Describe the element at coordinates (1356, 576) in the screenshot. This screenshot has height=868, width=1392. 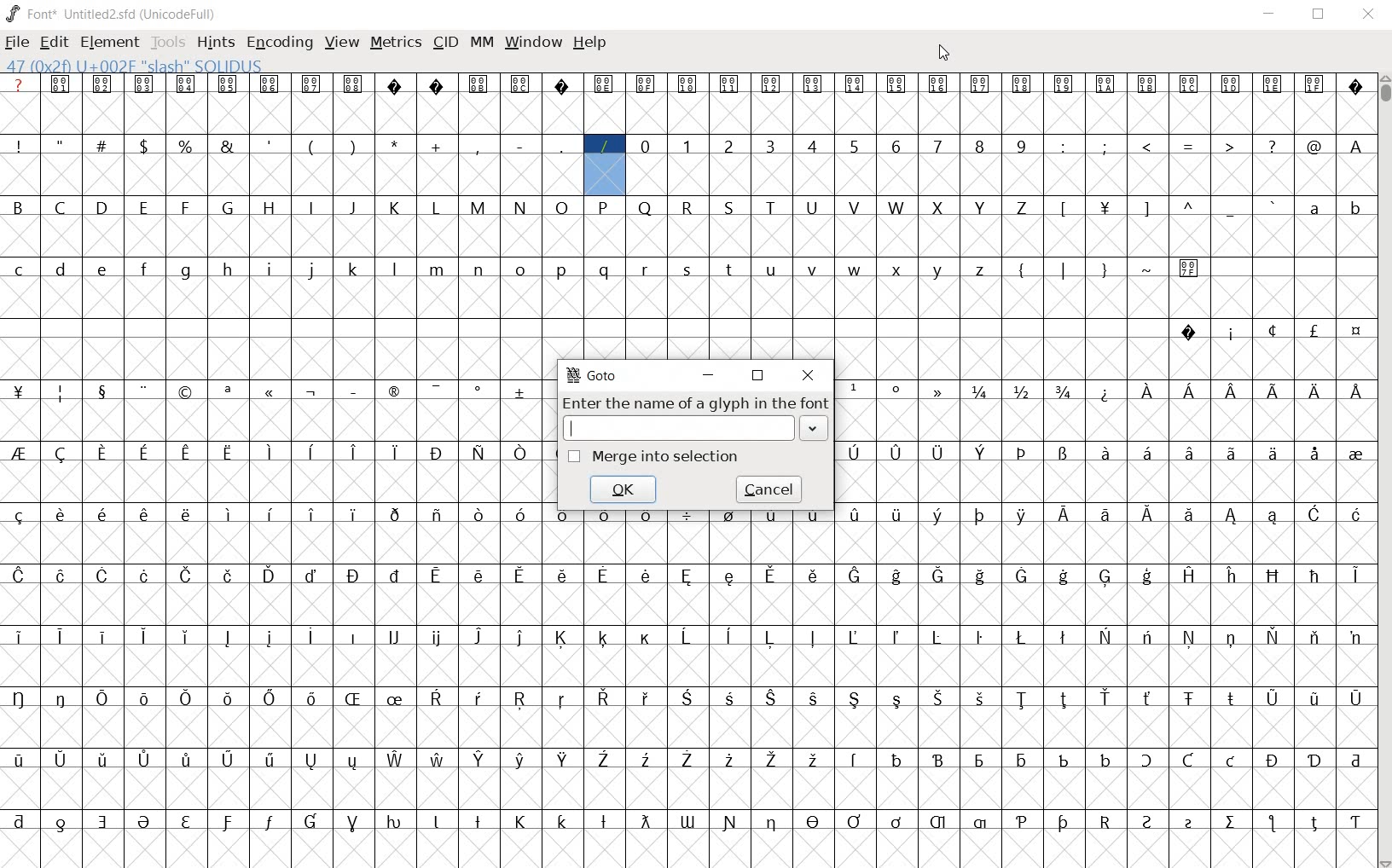
I see `glyph` at that location.